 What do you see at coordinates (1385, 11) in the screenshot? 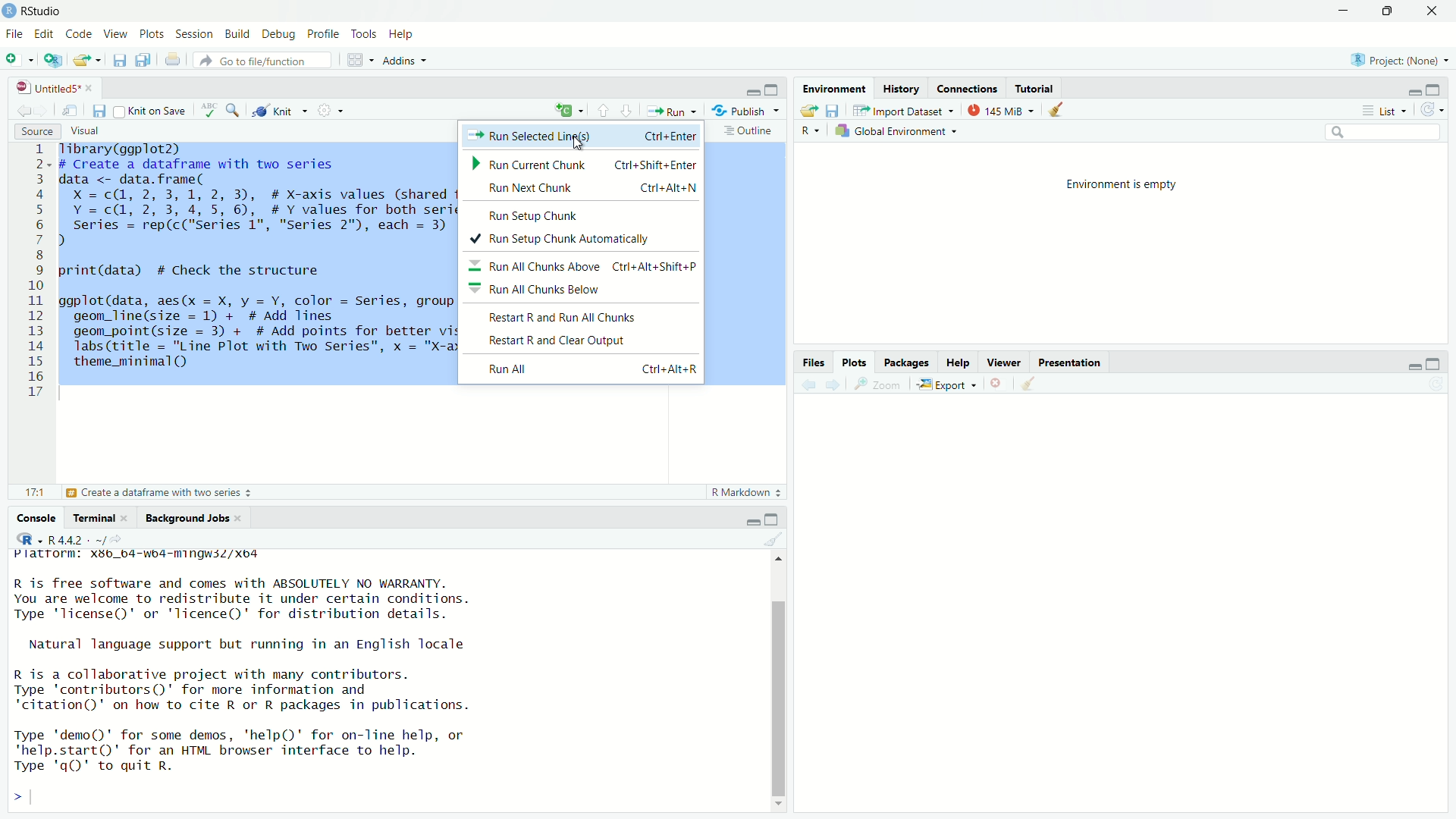
I see `Maximize` at bounding box center [1385, 11].